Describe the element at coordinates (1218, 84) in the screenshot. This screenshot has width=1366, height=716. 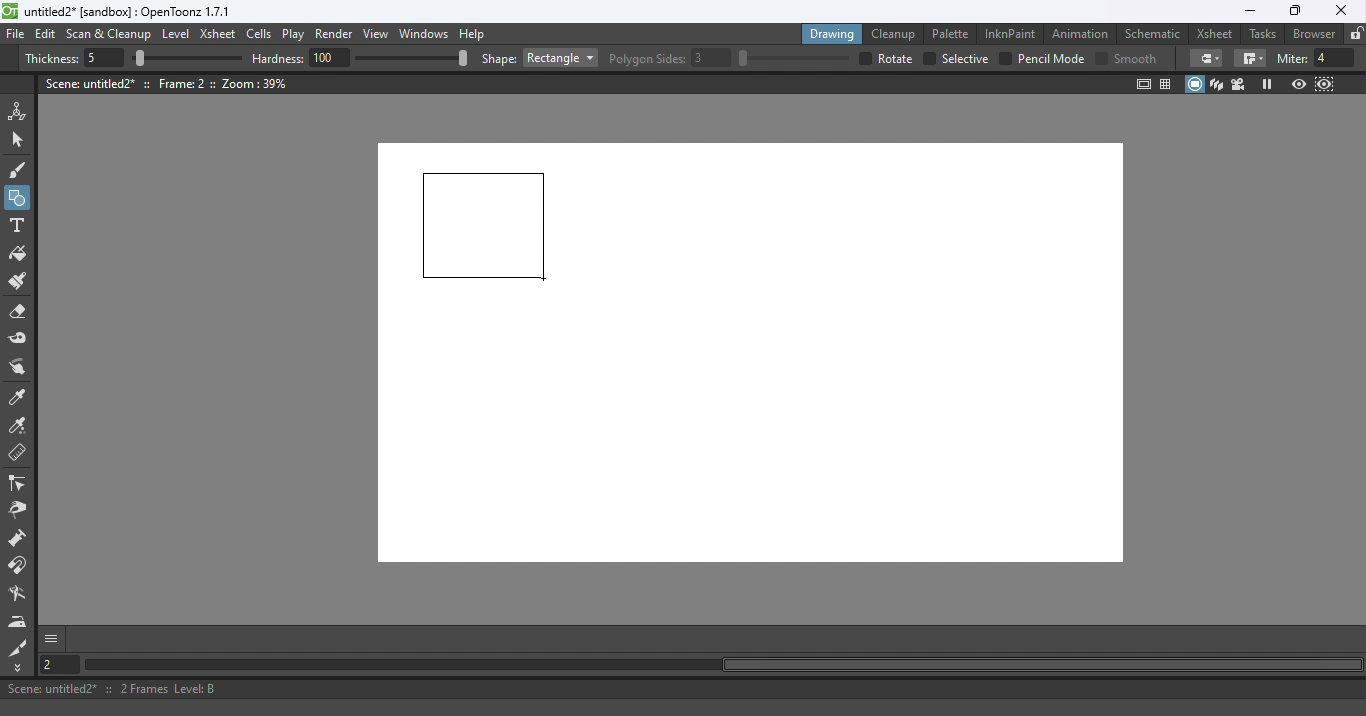
I see `3D View` at that location.